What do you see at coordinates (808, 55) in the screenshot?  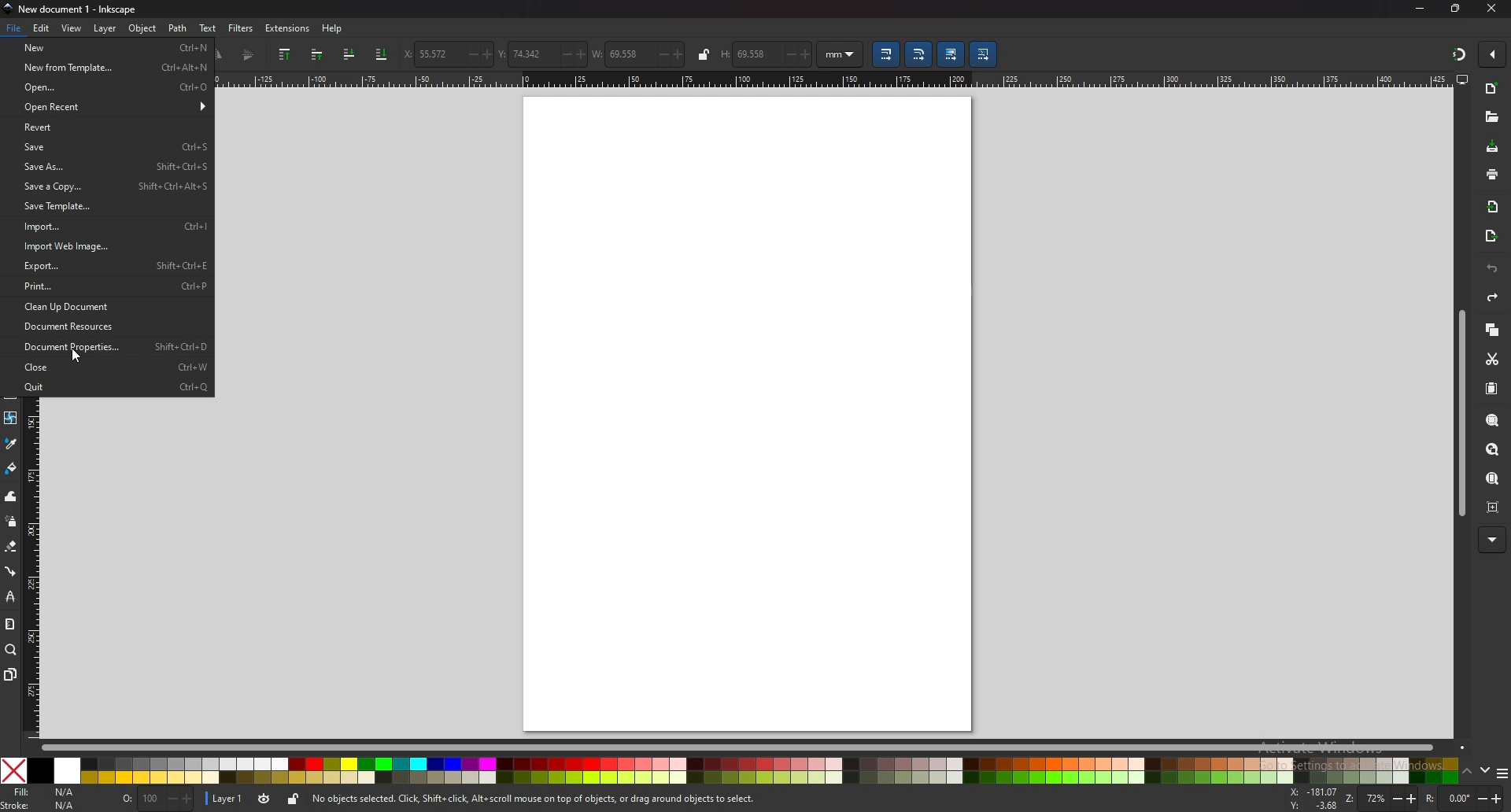 I see `+` at bounding box center [808, 55].